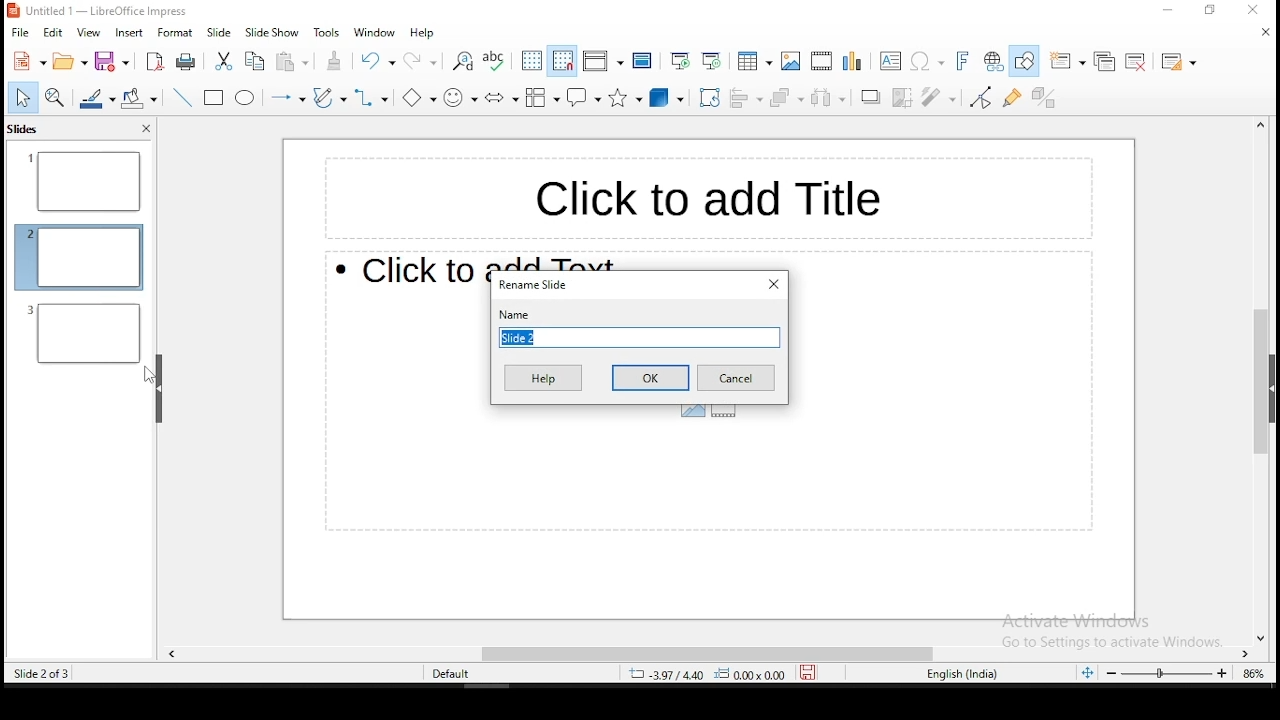 This screenshot has height=720, width=1280. I want to click on insert, so click(128, 33).